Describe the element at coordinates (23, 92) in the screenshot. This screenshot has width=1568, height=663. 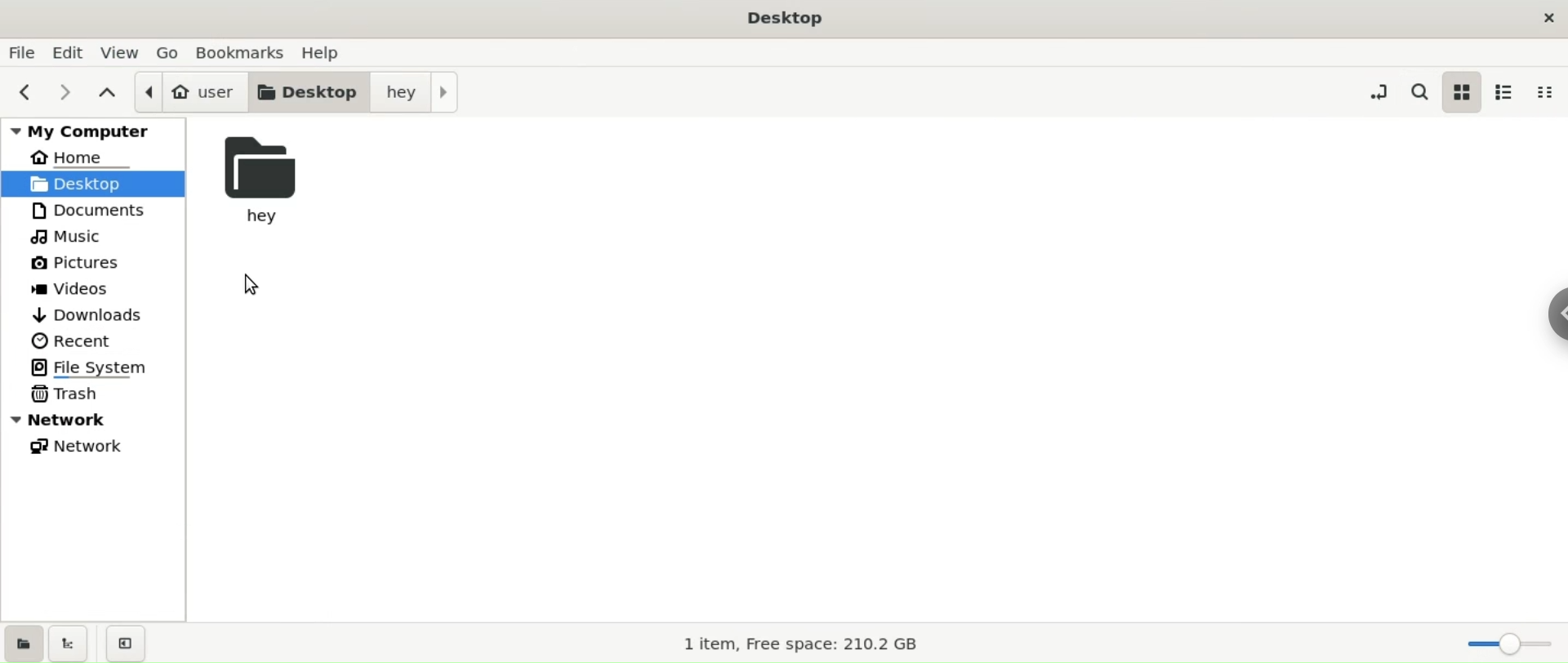
I see `previous` at that location.